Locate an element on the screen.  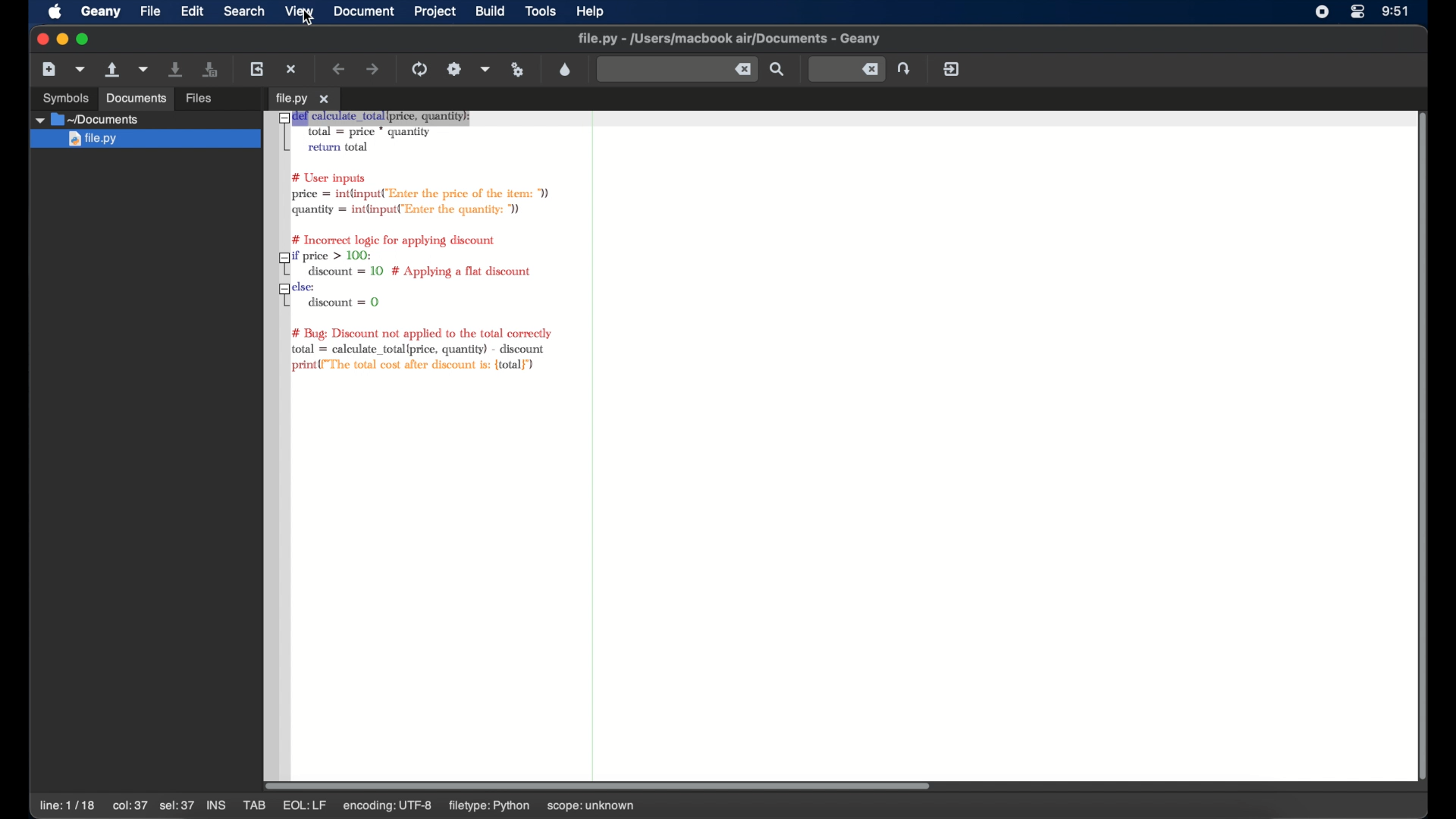
line: 1/18 is located at coordinates (67, 805).